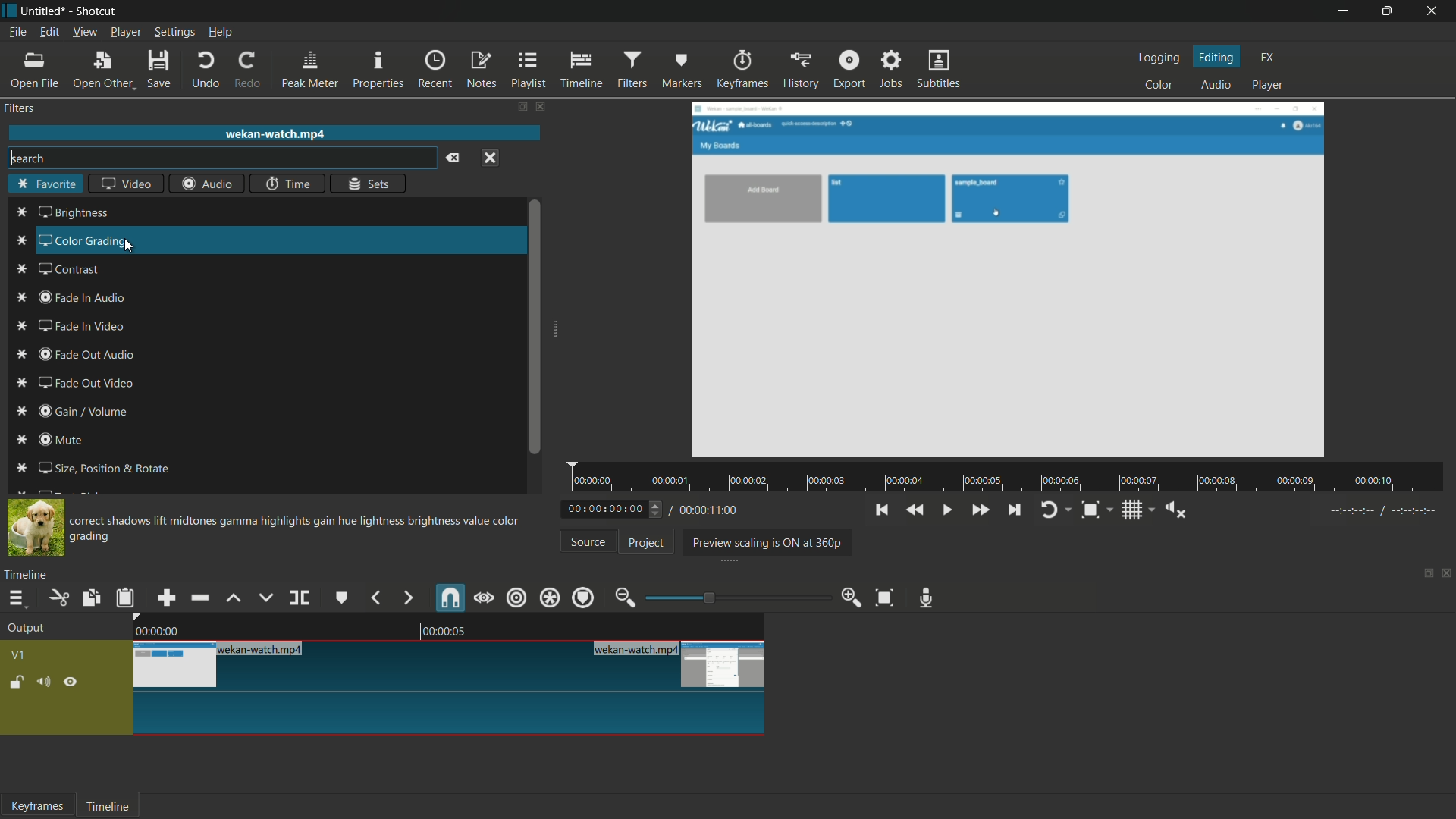  What do you see at coordinates (49, 32) in the screenshot?
I see `edit menu` at bounding box center [49, 32].